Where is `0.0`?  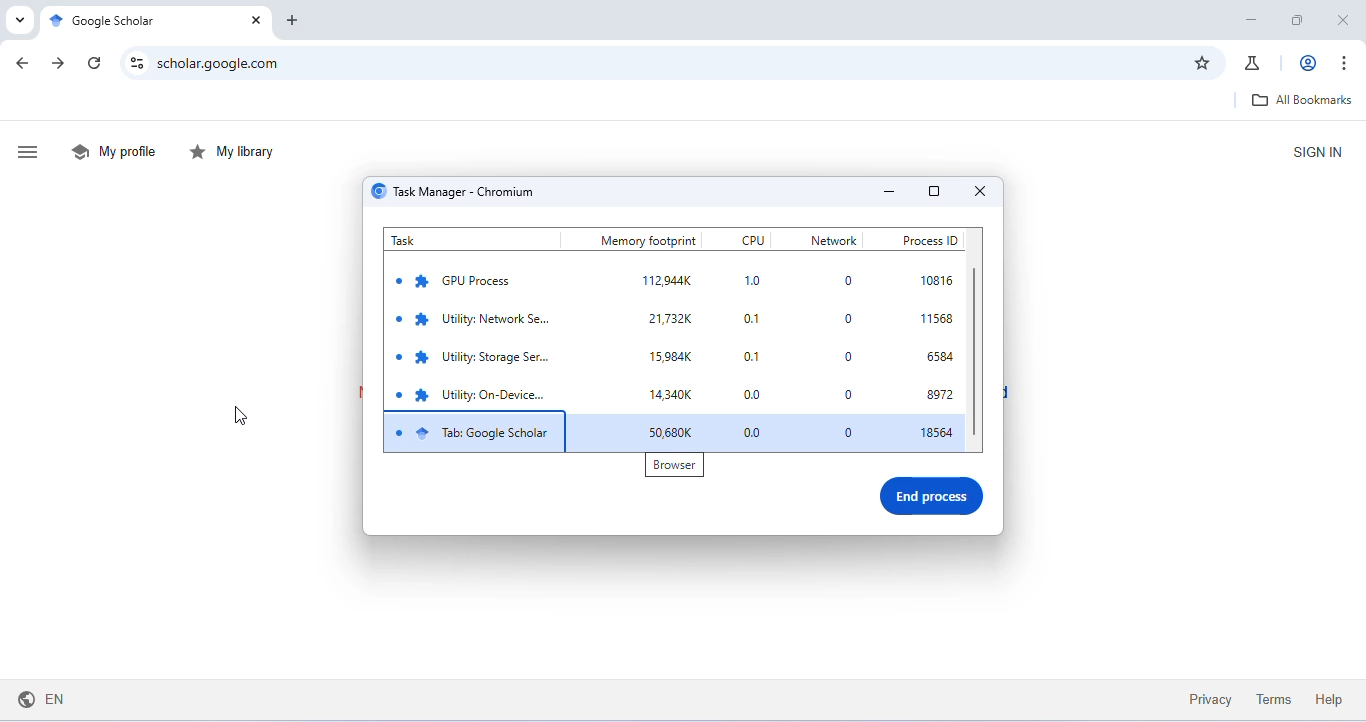 0.0 is located at coordinates (756, 434).